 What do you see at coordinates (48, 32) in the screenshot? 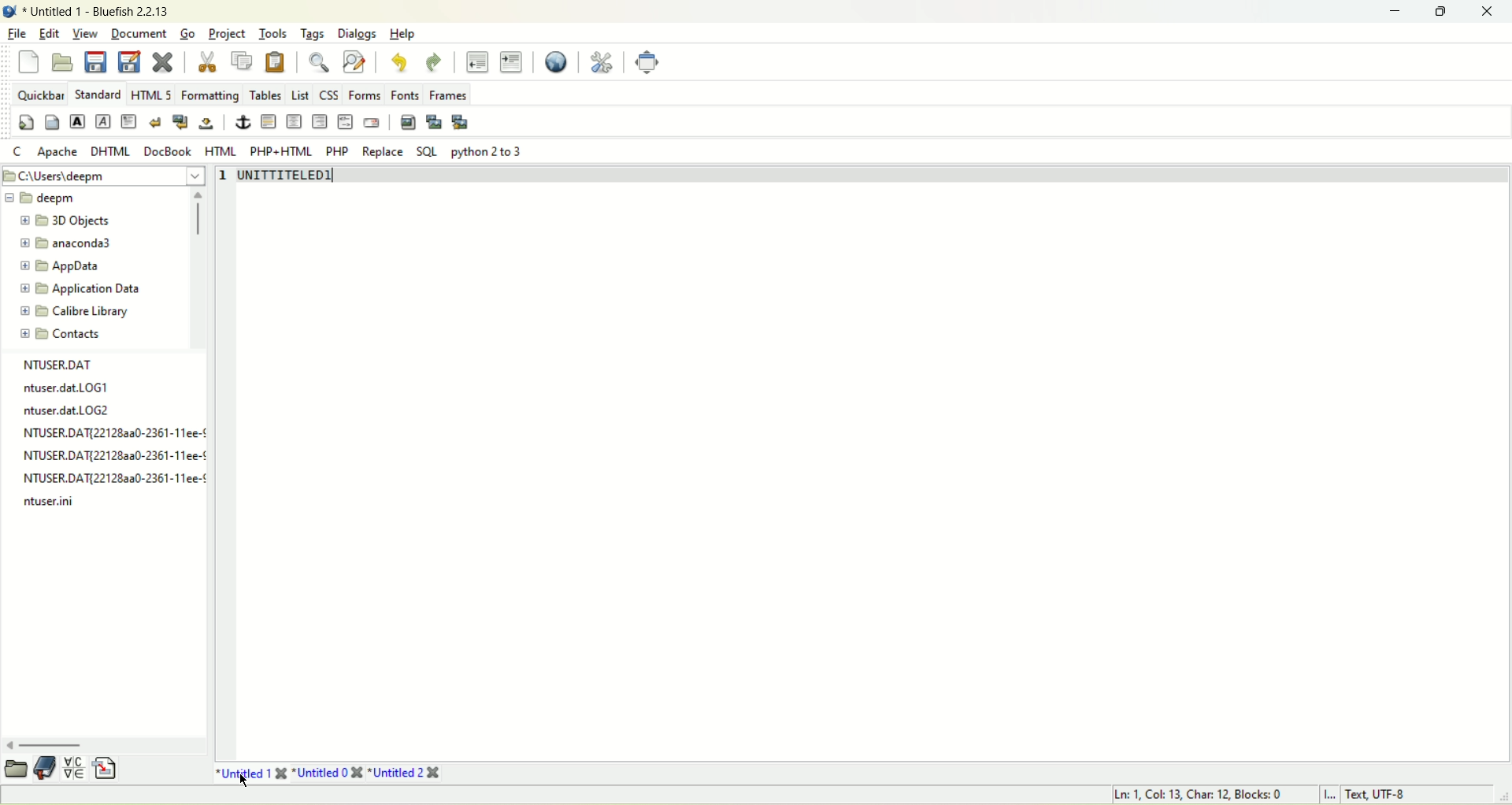
I see `edit` at bounding box center [48, 32].